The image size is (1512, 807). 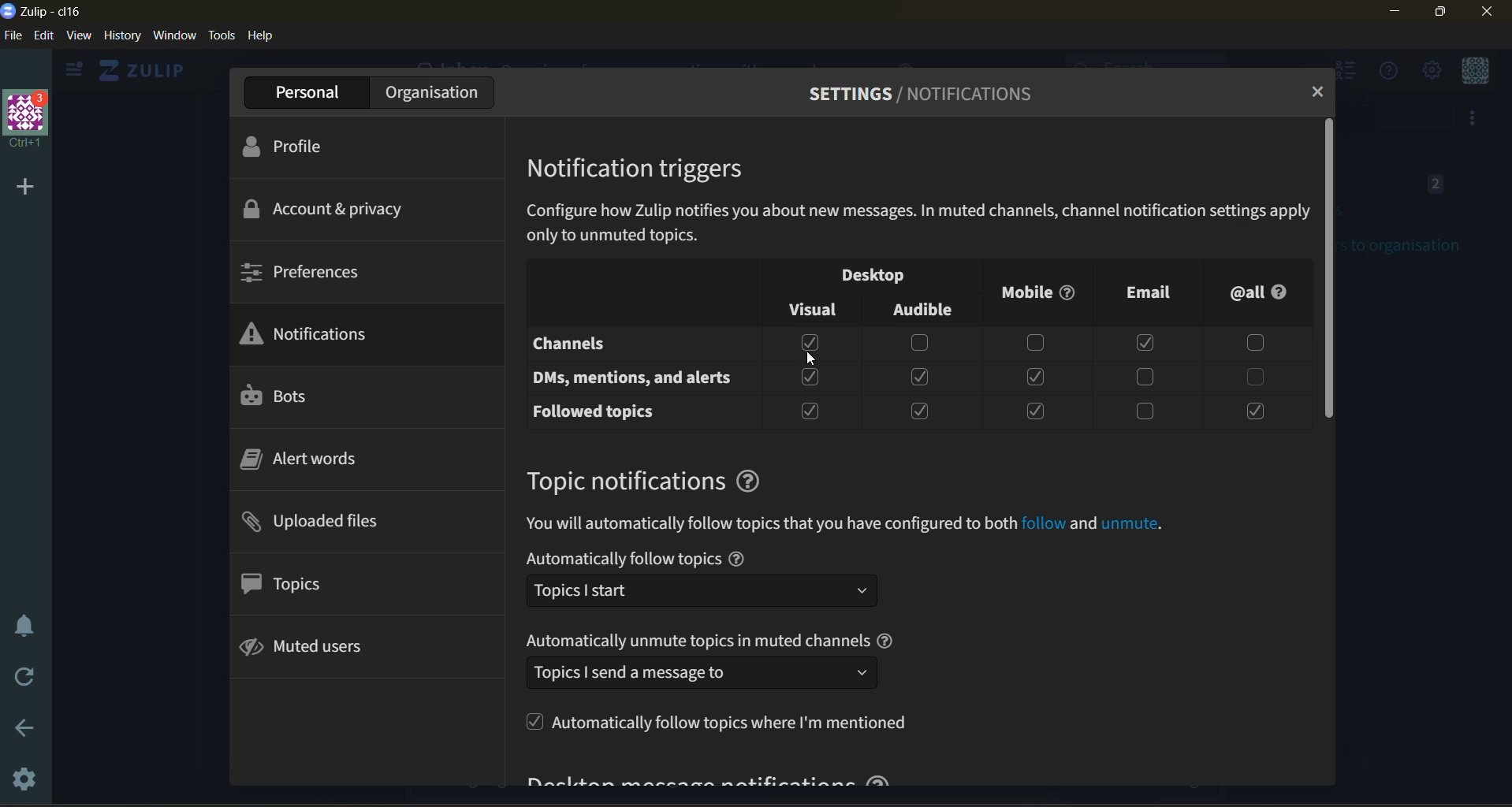 I want to click on checkbox, so click(x=810, y=411).